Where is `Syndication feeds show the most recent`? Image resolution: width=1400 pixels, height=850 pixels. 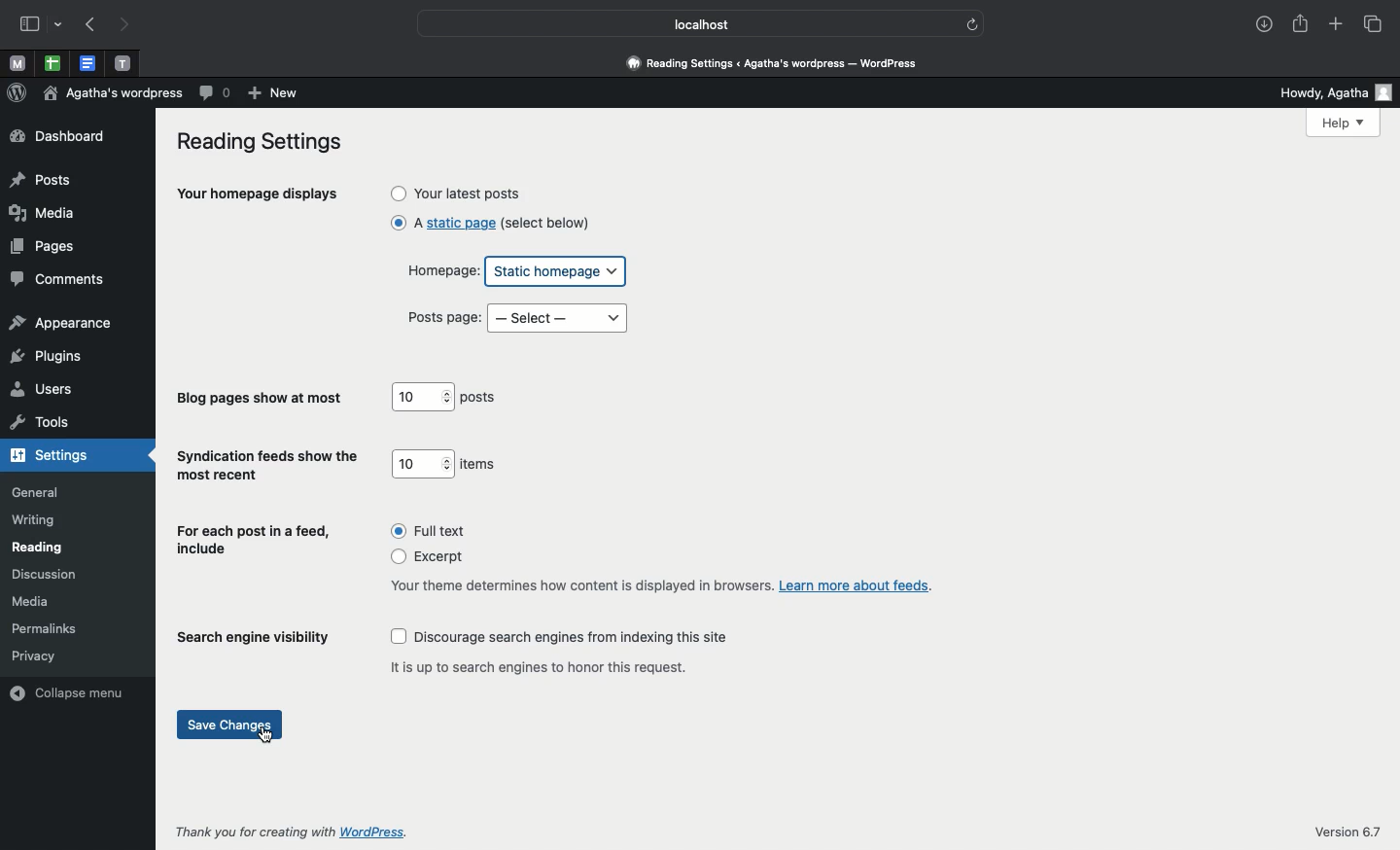
Syndication feeds show the most recent is located at coordinates (268, 466).